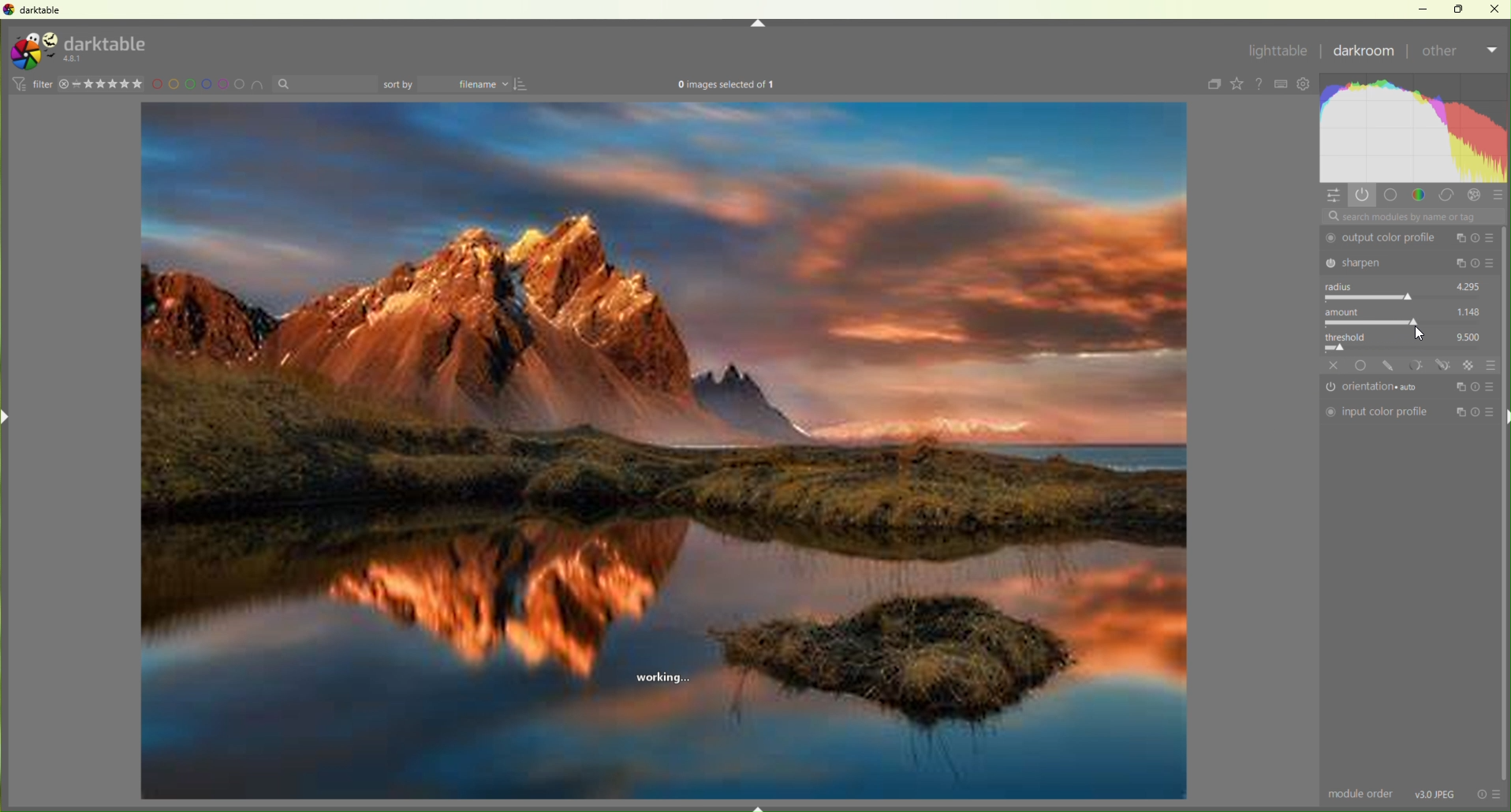 The width and height of the screenshot is (1511, 812). Describe the element at coordinates (1362, 365) in the screenshot. I see `base` at that location.